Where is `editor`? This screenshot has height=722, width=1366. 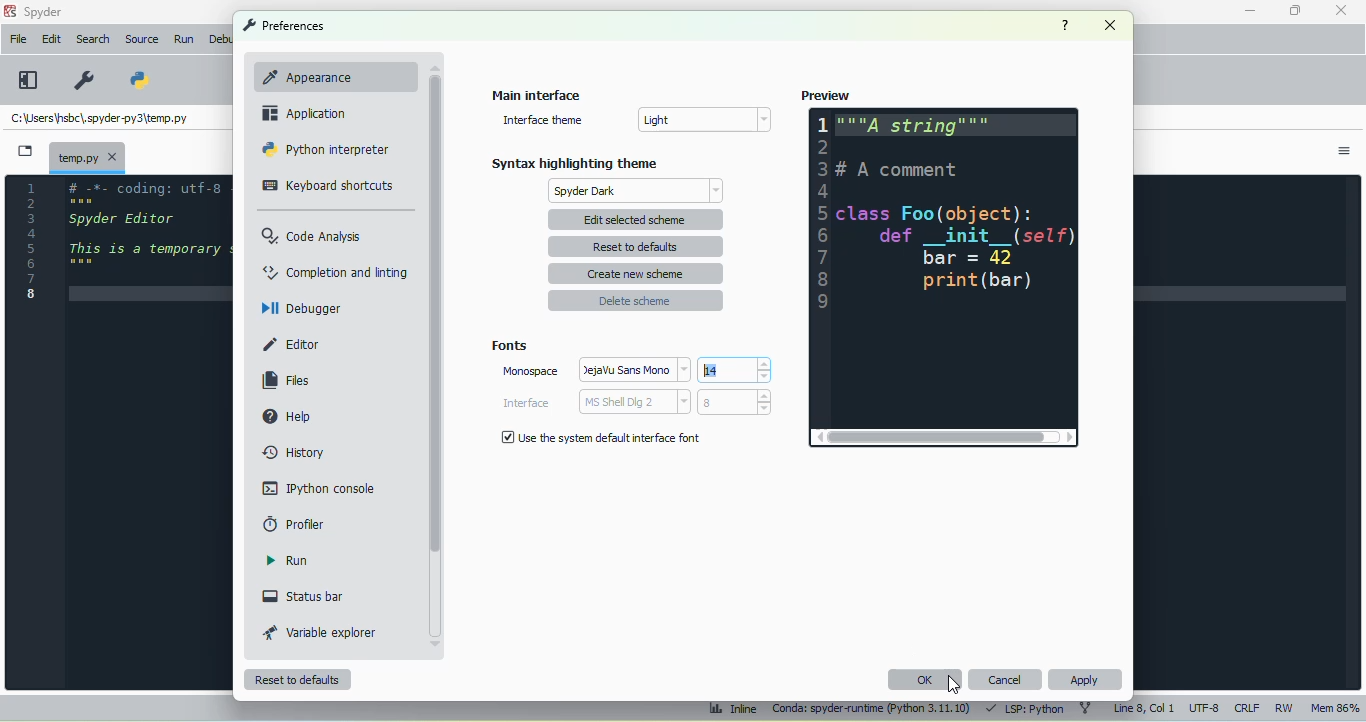 editor is located at coordinates (149, 245).